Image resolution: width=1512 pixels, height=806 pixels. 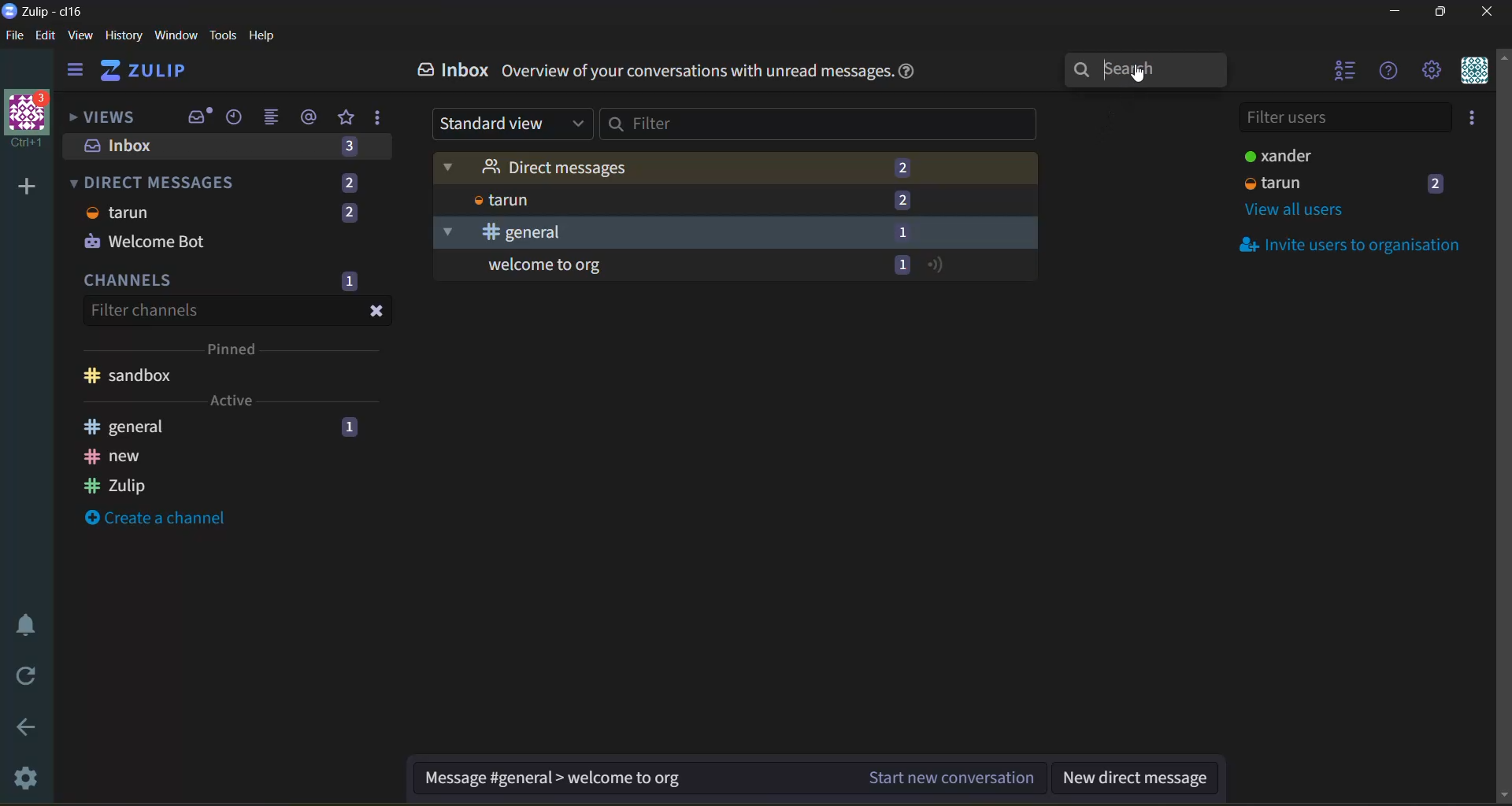 What do you see at coordinates (901, 265) in the screenshot?
I see `1` at bounding box center [901, 265].